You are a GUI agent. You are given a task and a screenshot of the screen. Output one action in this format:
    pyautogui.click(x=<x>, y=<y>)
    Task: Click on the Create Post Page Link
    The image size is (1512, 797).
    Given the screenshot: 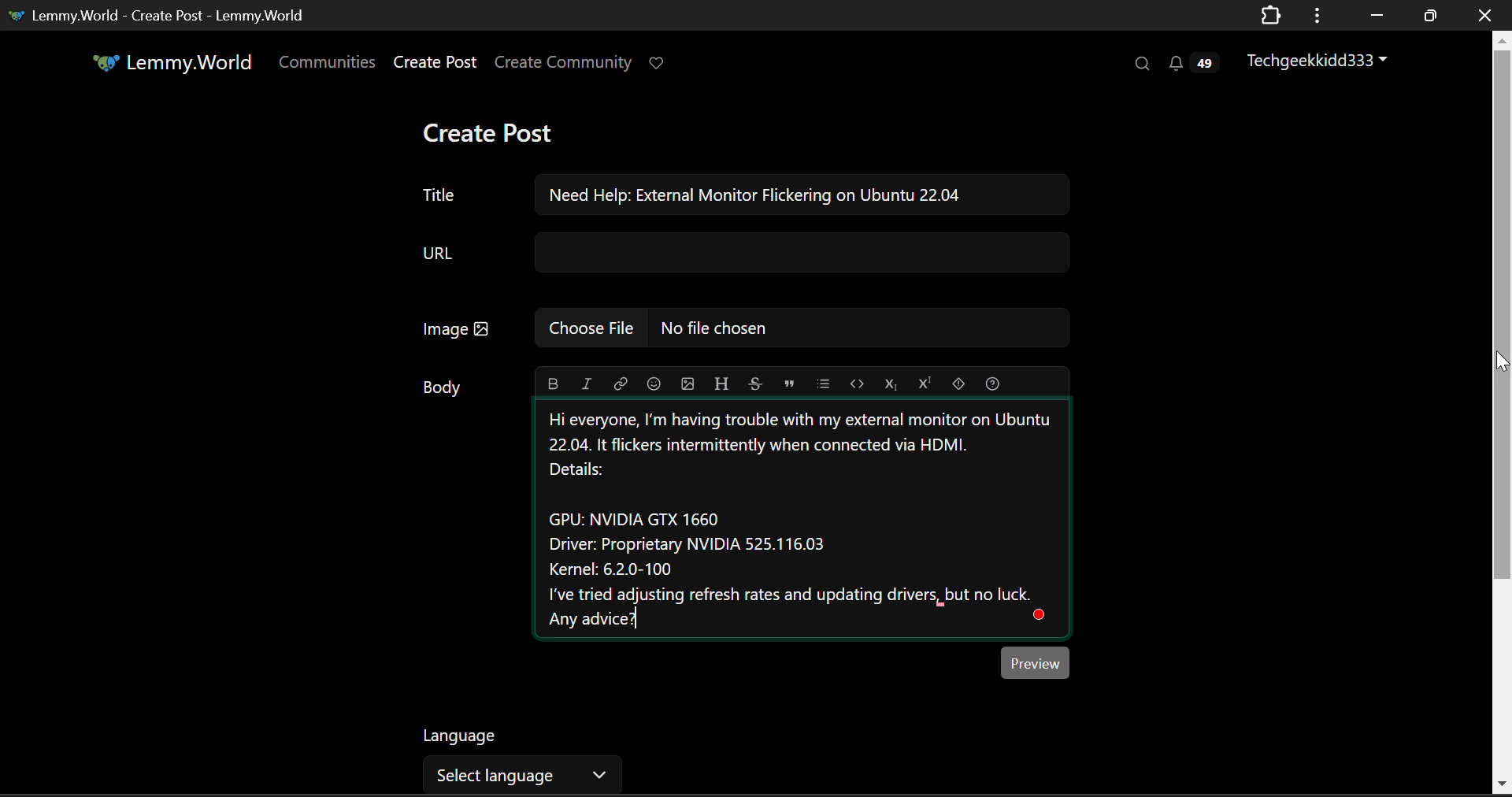 What is the action you would take?
    pyautogui.click(x=435, y=61)
    